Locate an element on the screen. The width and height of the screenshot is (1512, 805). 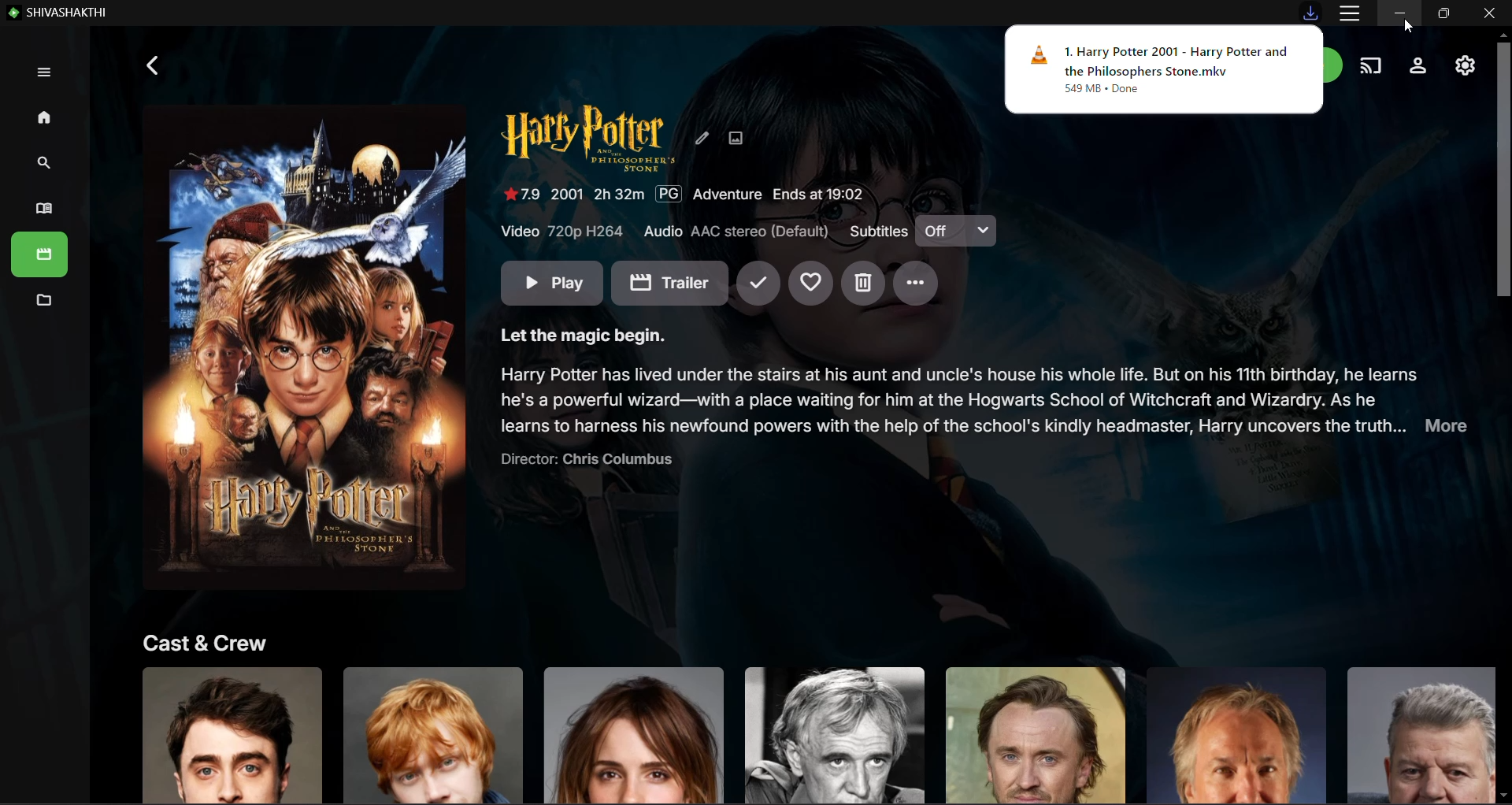
Settings is located at coordinates (1419, 65).